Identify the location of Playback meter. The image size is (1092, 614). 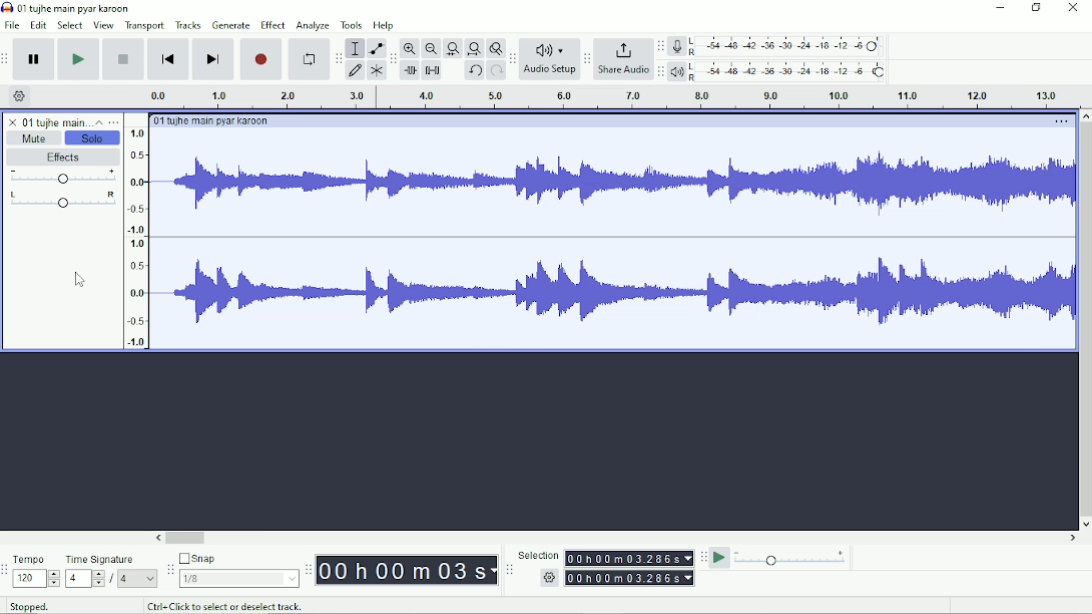
(777, 71).